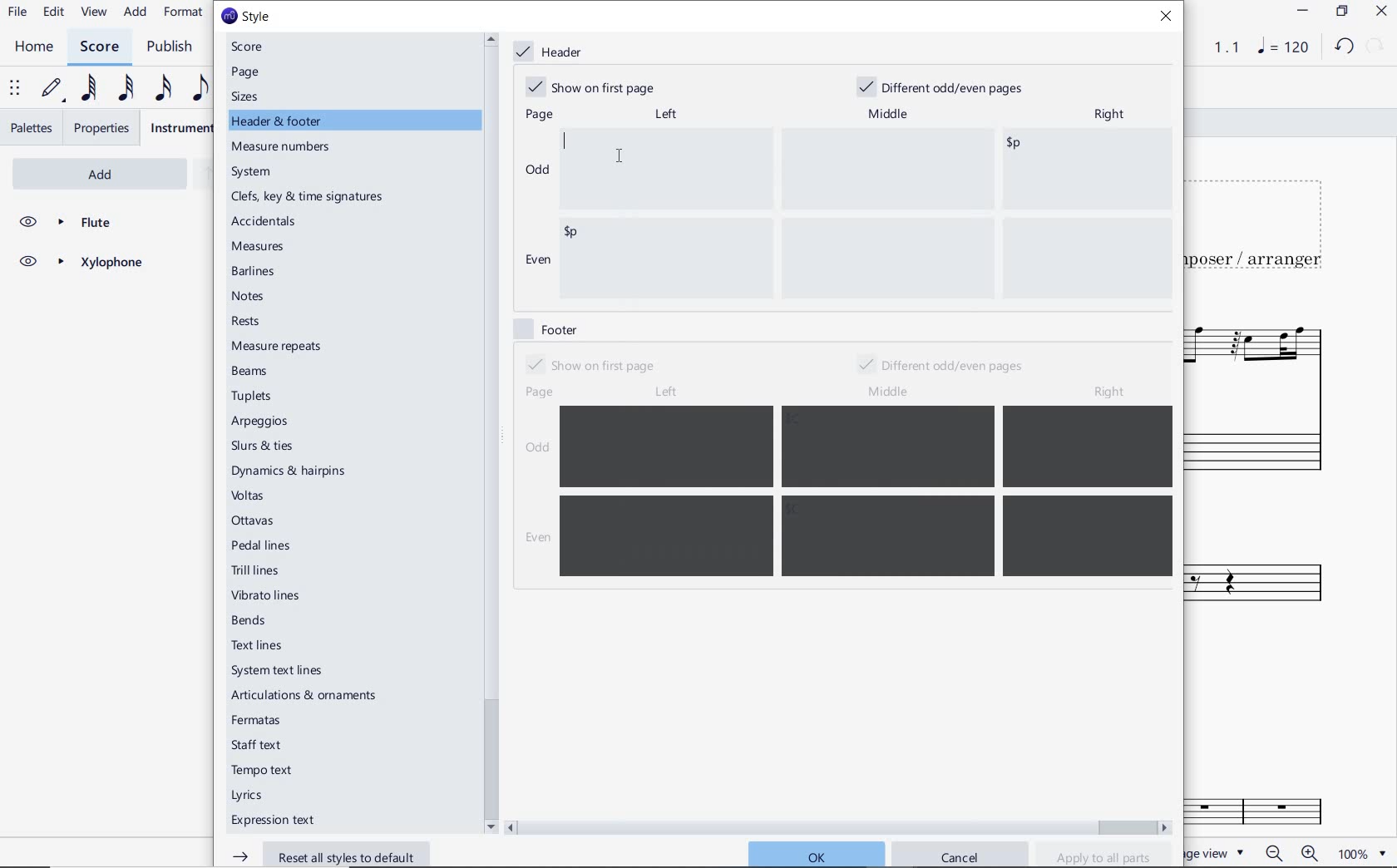 This screenshot has height=868, width=1397. I want to click on DEFAULT (STEP TIME), so click(52, 91).